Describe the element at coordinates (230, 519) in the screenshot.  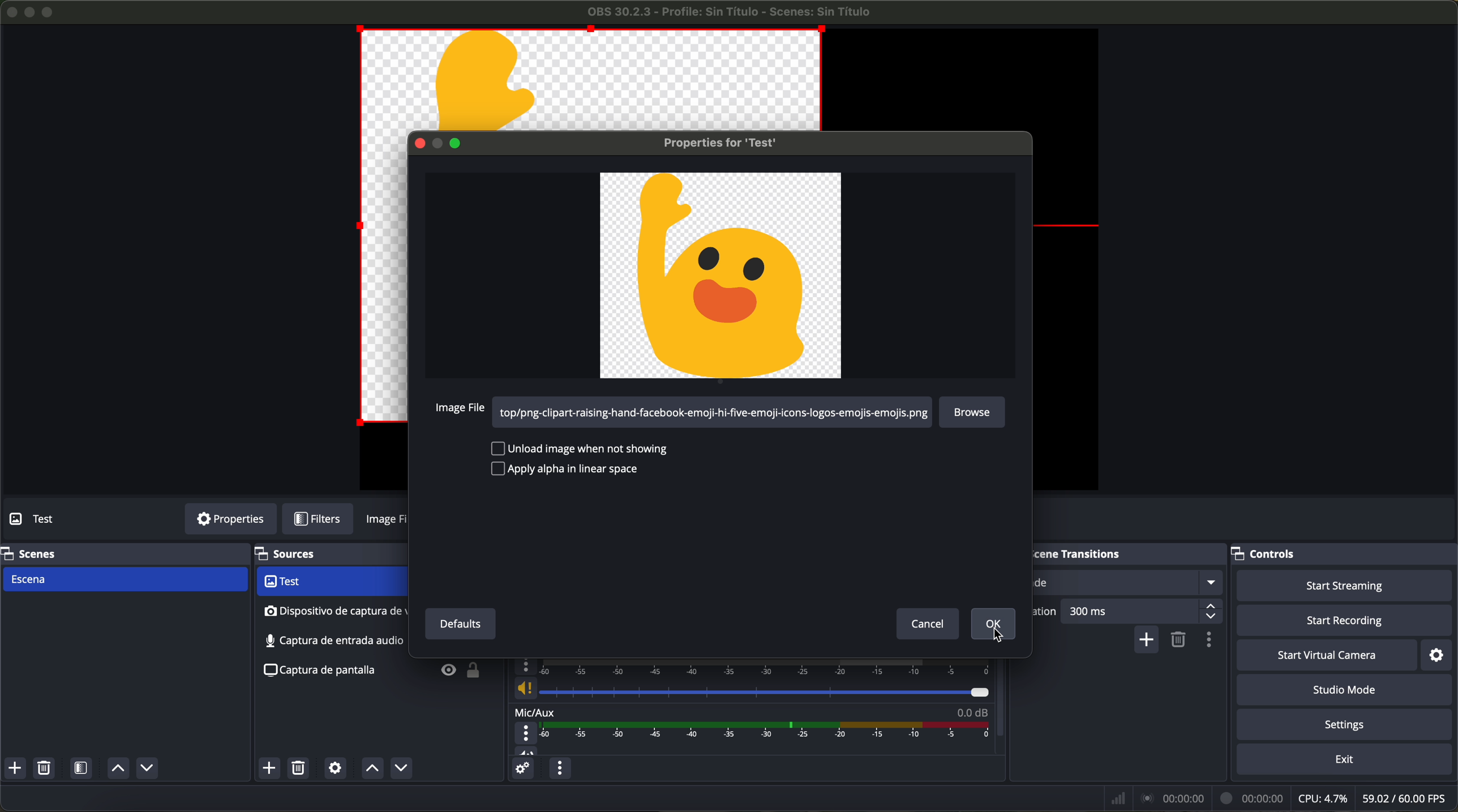
I see `properties` at that location.